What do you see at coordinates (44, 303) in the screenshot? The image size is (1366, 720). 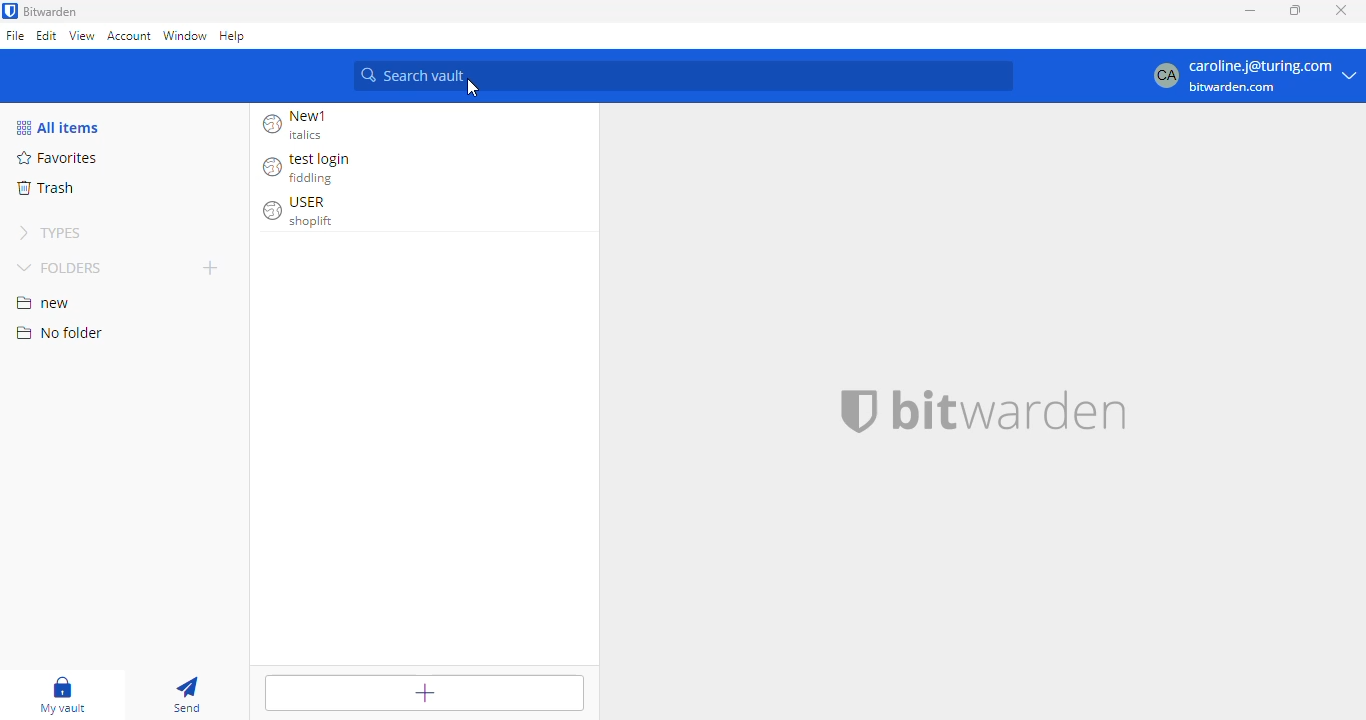 I see `new` at bounding box center [44, 303].